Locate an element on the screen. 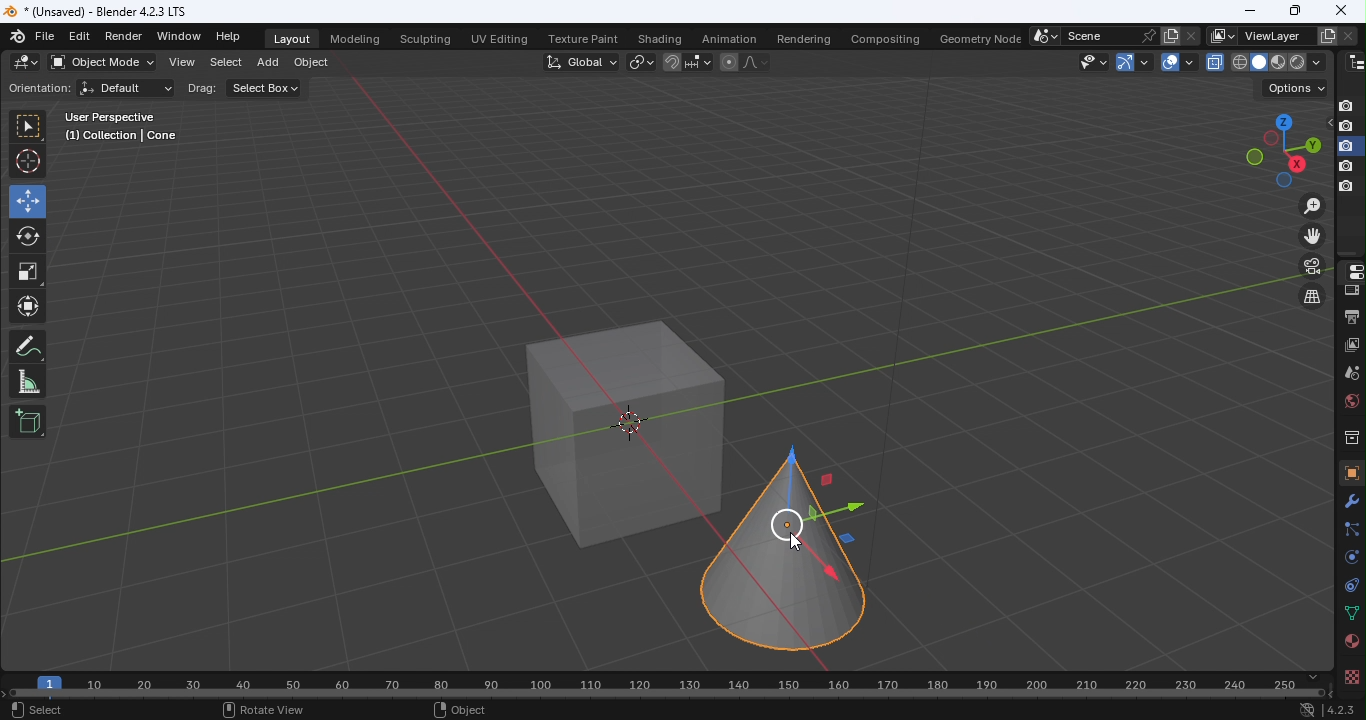 Image resolution: width=1366 pixels, height=720 pixels. Name is located at coordinates (1275, 36).